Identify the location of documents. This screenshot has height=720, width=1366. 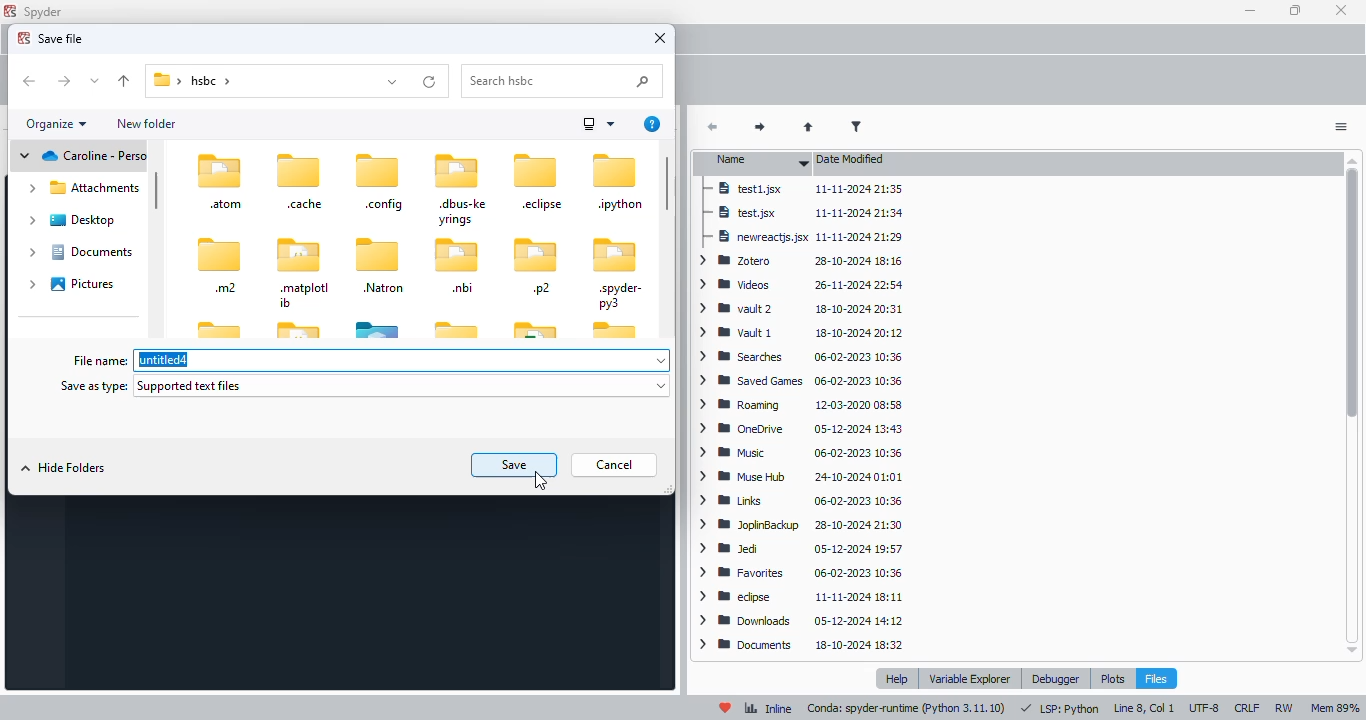
(746, 646).